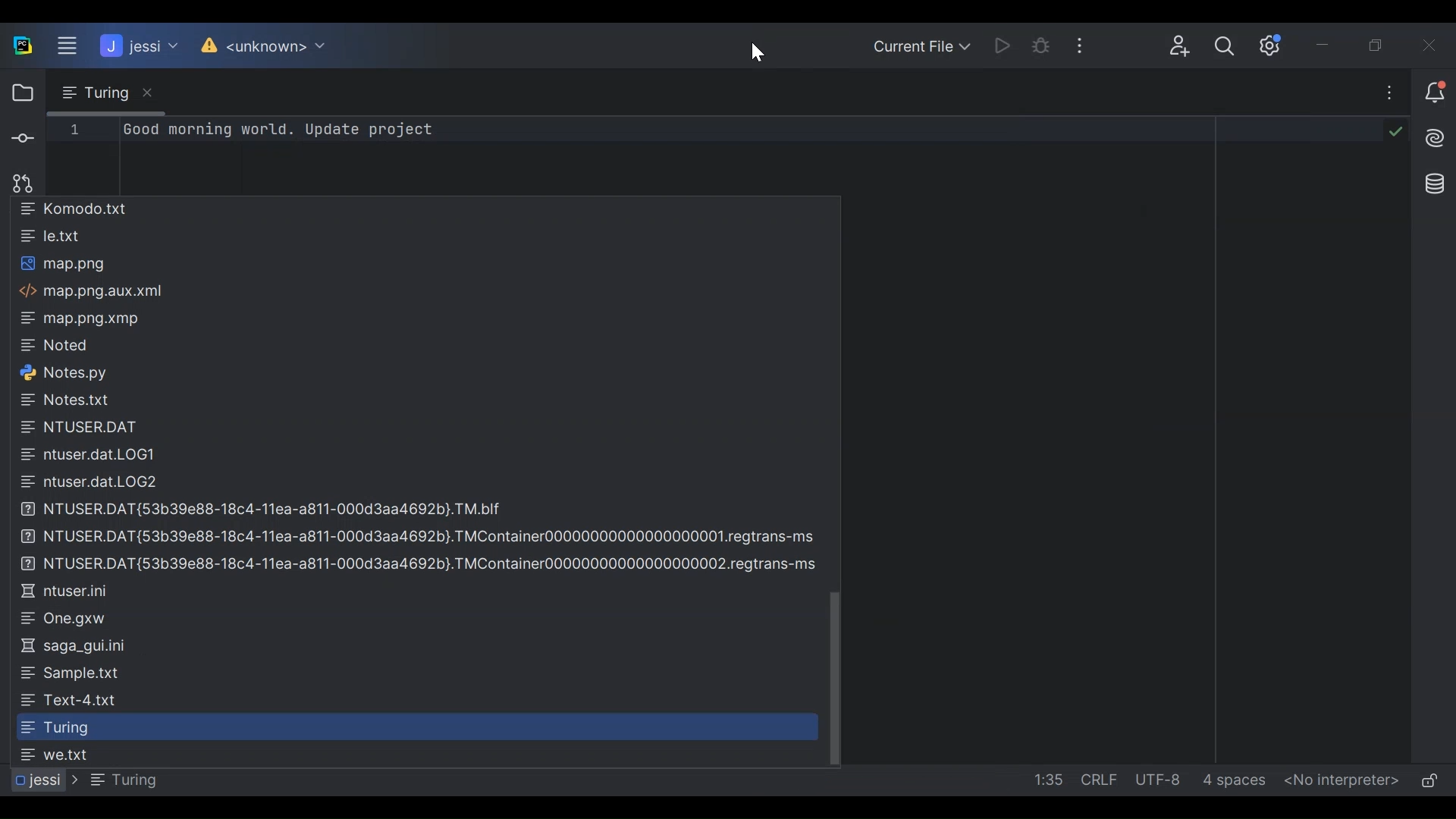 The width and height of the screenshot is (1456, 819). Describe the element at coordinates (1329, 45) in the screenshot. I see `Minimize` at that location.